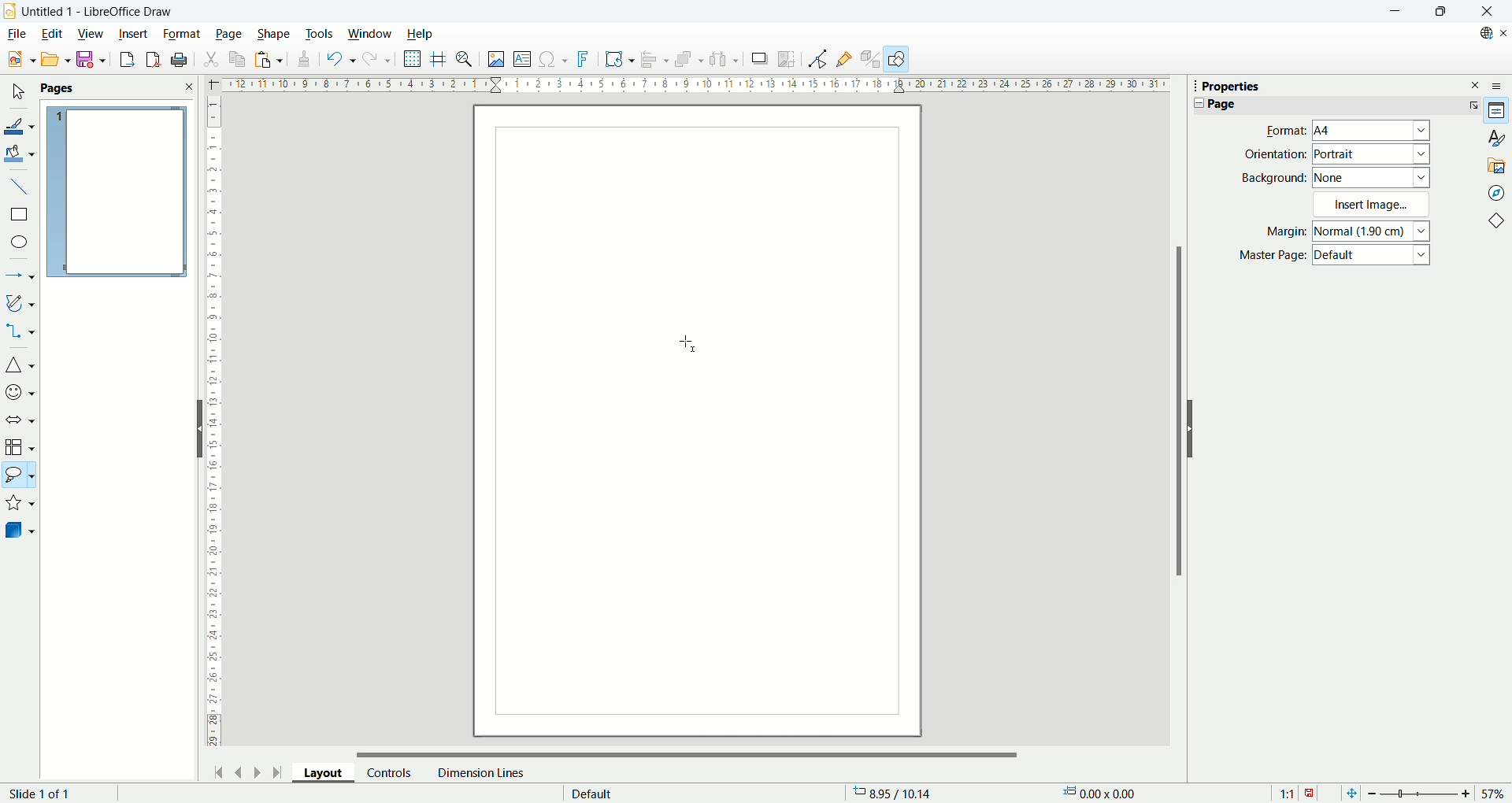 This screenshot has width=1512, height=803. Describe the element at coordinates (229, 35) in the screenshot. I see `page` at that location.